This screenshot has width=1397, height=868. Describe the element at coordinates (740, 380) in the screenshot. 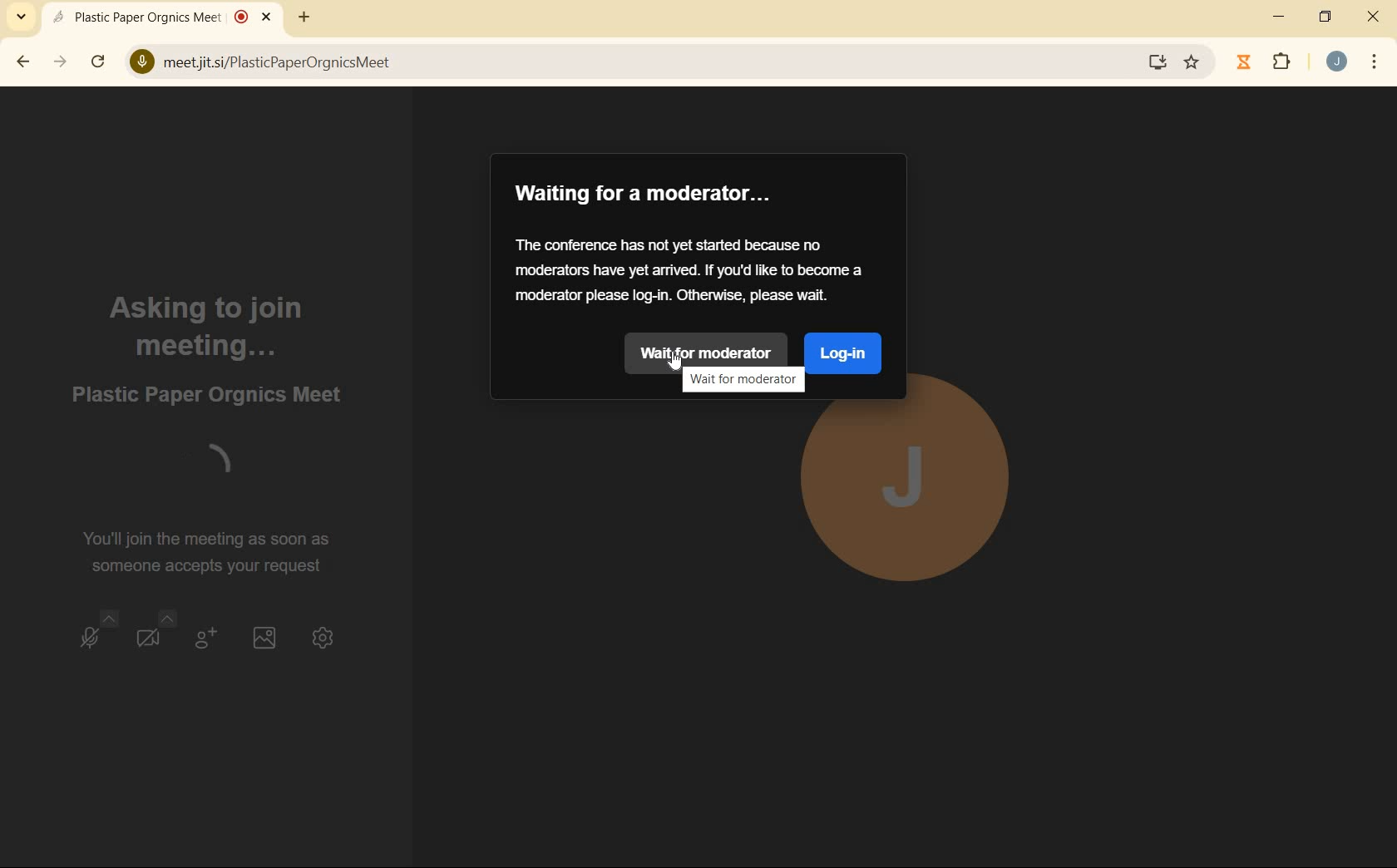

I see `wait for moderator` at that location.